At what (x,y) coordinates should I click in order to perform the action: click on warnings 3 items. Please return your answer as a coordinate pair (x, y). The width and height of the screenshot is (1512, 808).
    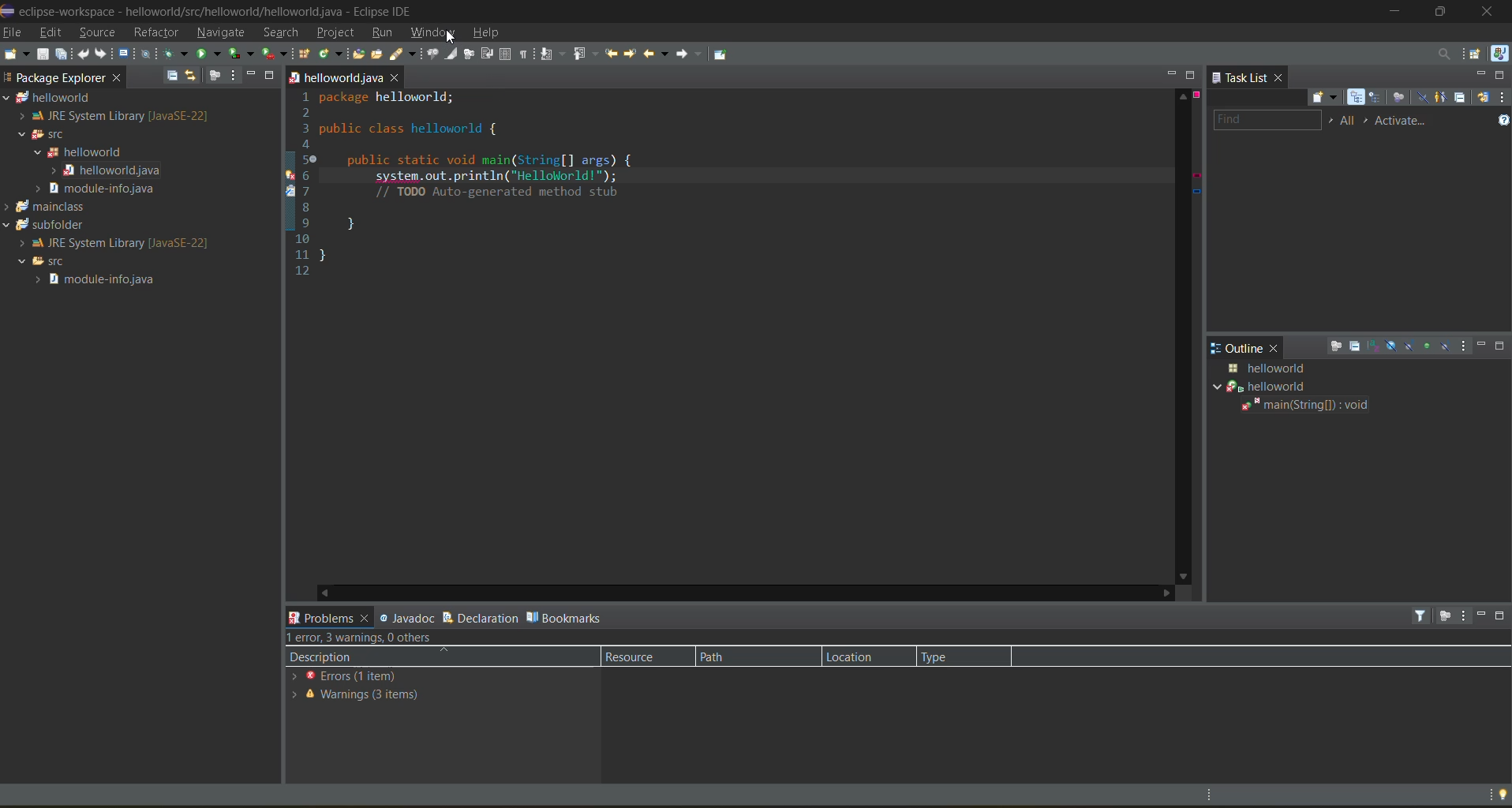
    Looking at the image, I should click on (357, 697).